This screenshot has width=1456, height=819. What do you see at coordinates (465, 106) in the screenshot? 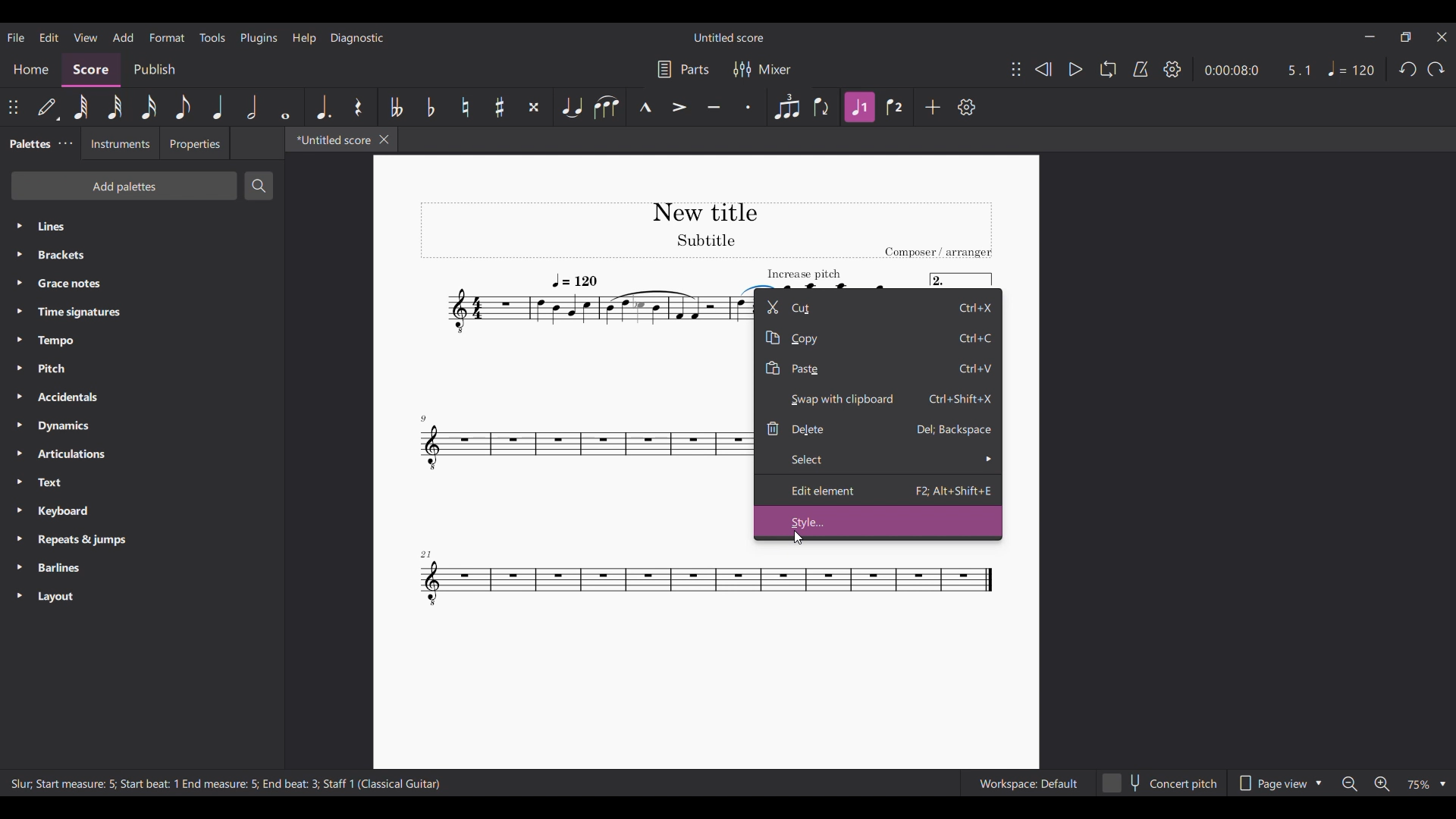
I see `Toggle natural` at bounding box center [465, 106].